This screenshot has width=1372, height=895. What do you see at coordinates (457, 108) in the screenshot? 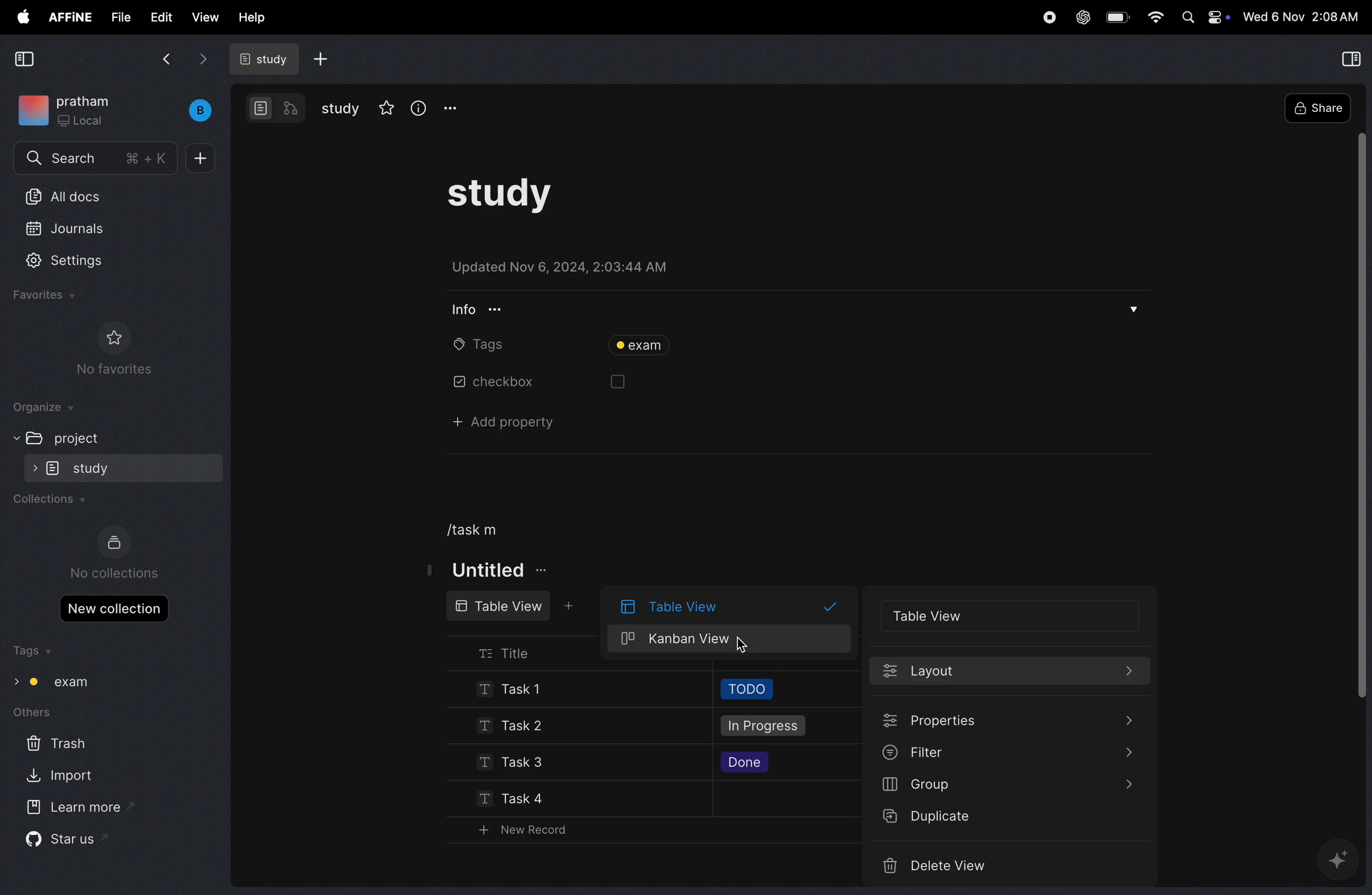
I see `options` at bounding box center [457, 108].